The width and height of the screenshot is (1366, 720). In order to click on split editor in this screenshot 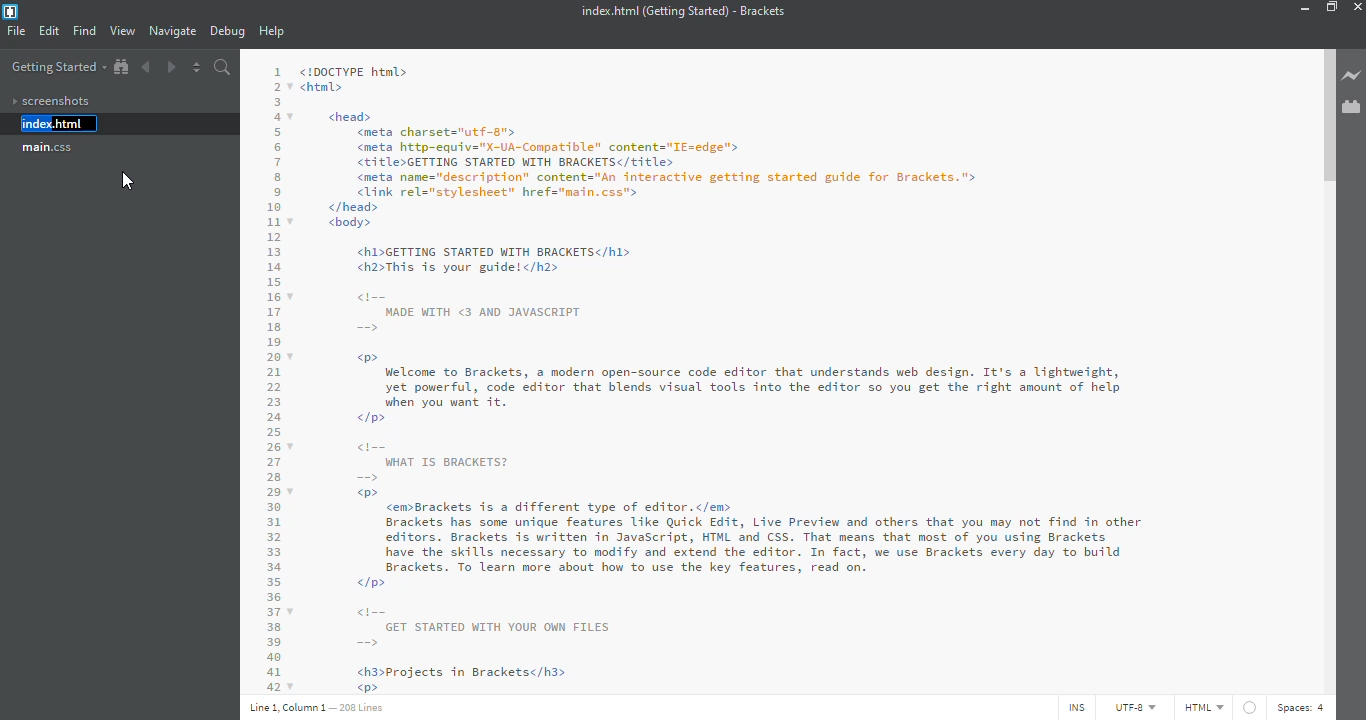, I will do `click(197, 67)`.